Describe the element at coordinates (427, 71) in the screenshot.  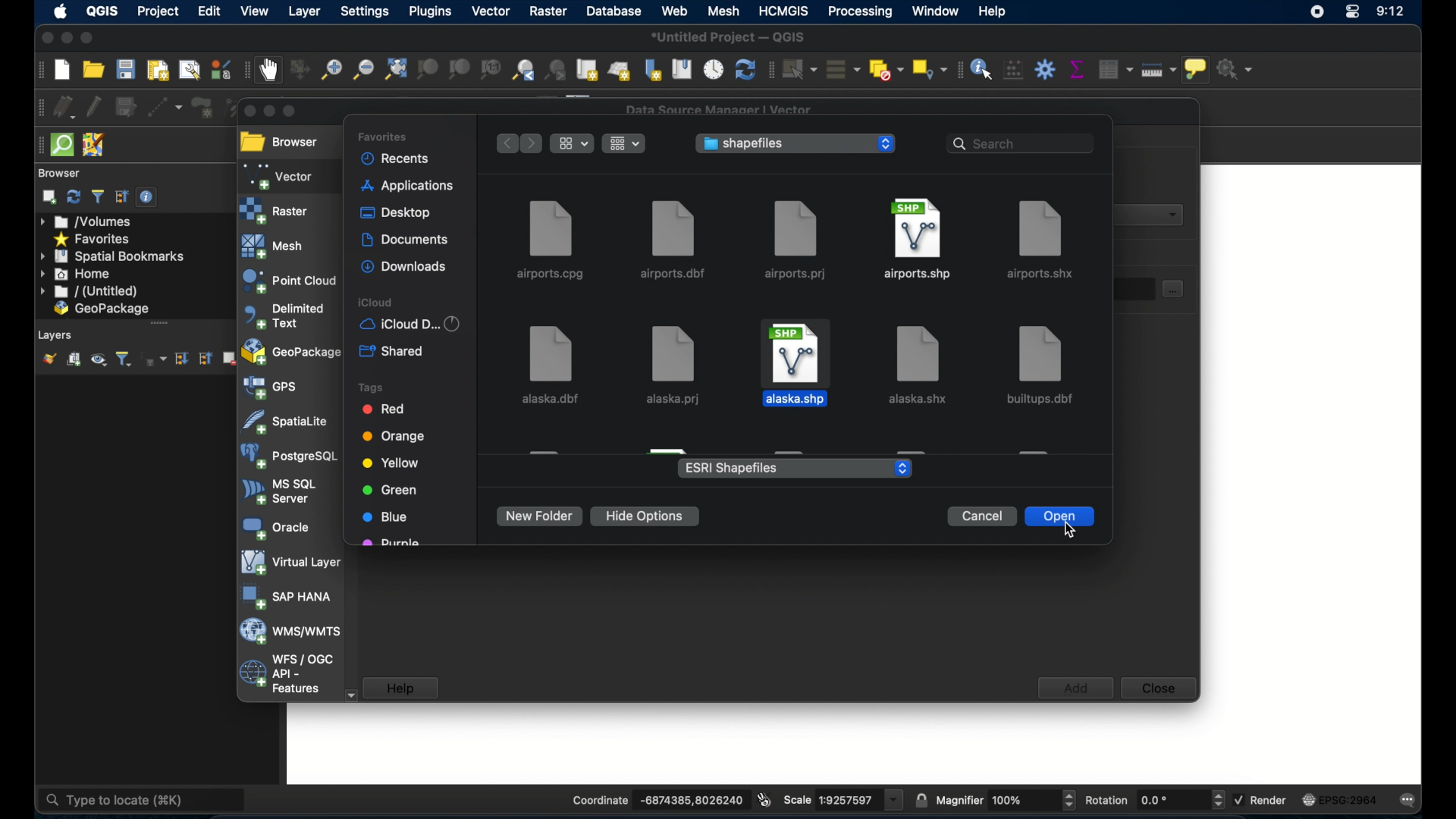
I see `zoom to selection` at that location.